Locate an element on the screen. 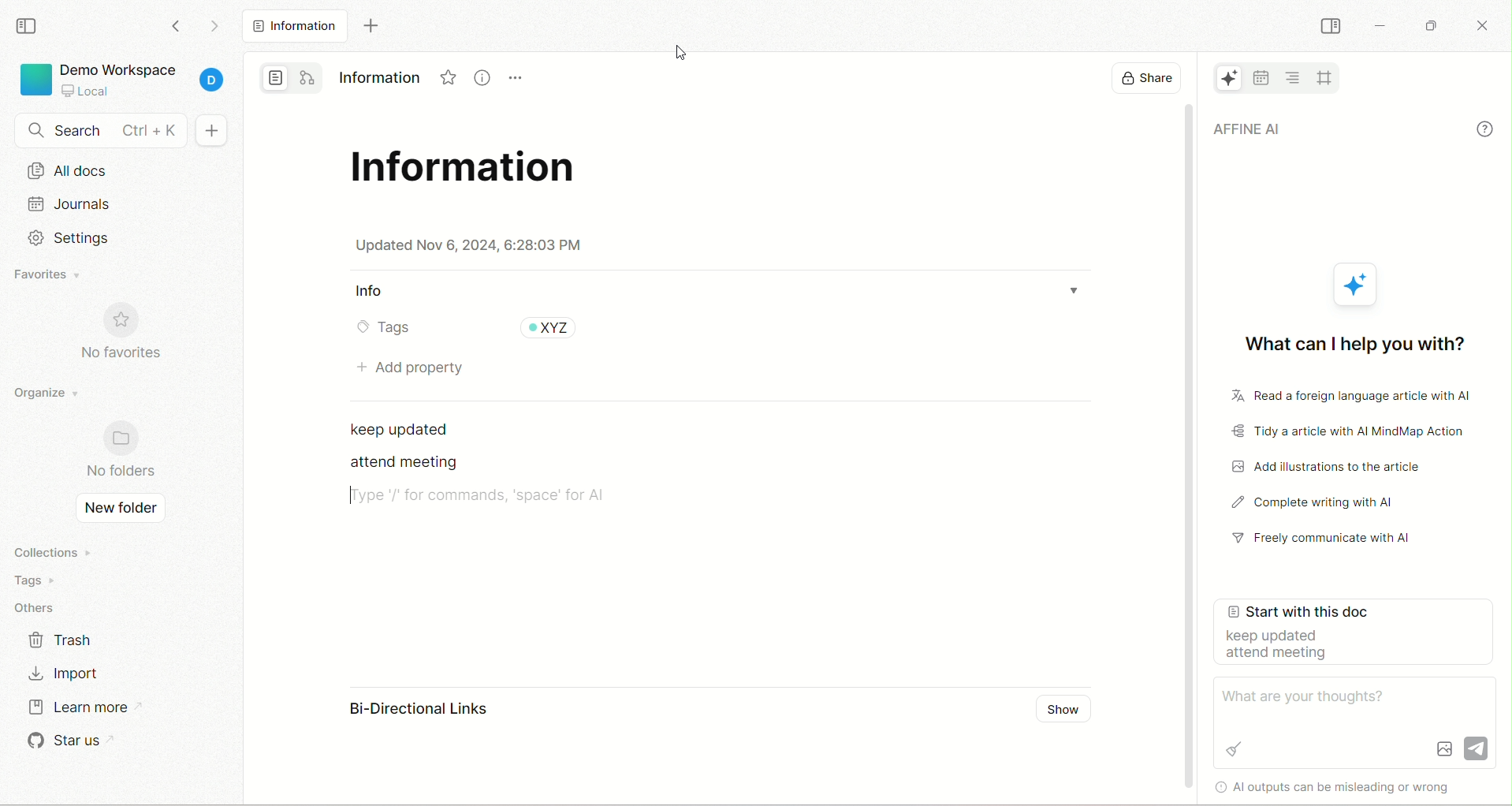 The width and height of the screenshot is (1512, 806). AFFiNE AI is located at coordinates (1328, 130).